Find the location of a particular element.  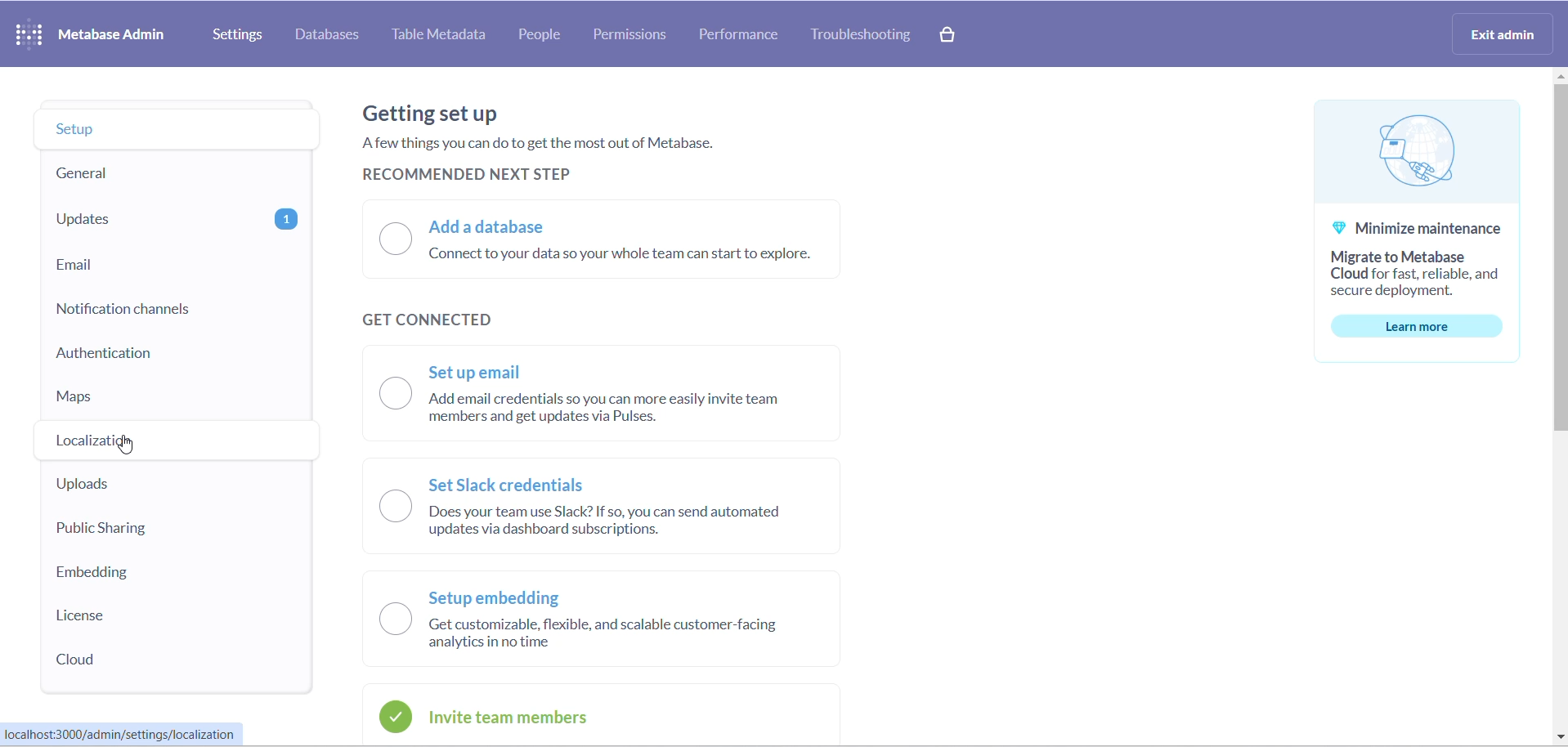

move down is located at coordinates (1558, 737).